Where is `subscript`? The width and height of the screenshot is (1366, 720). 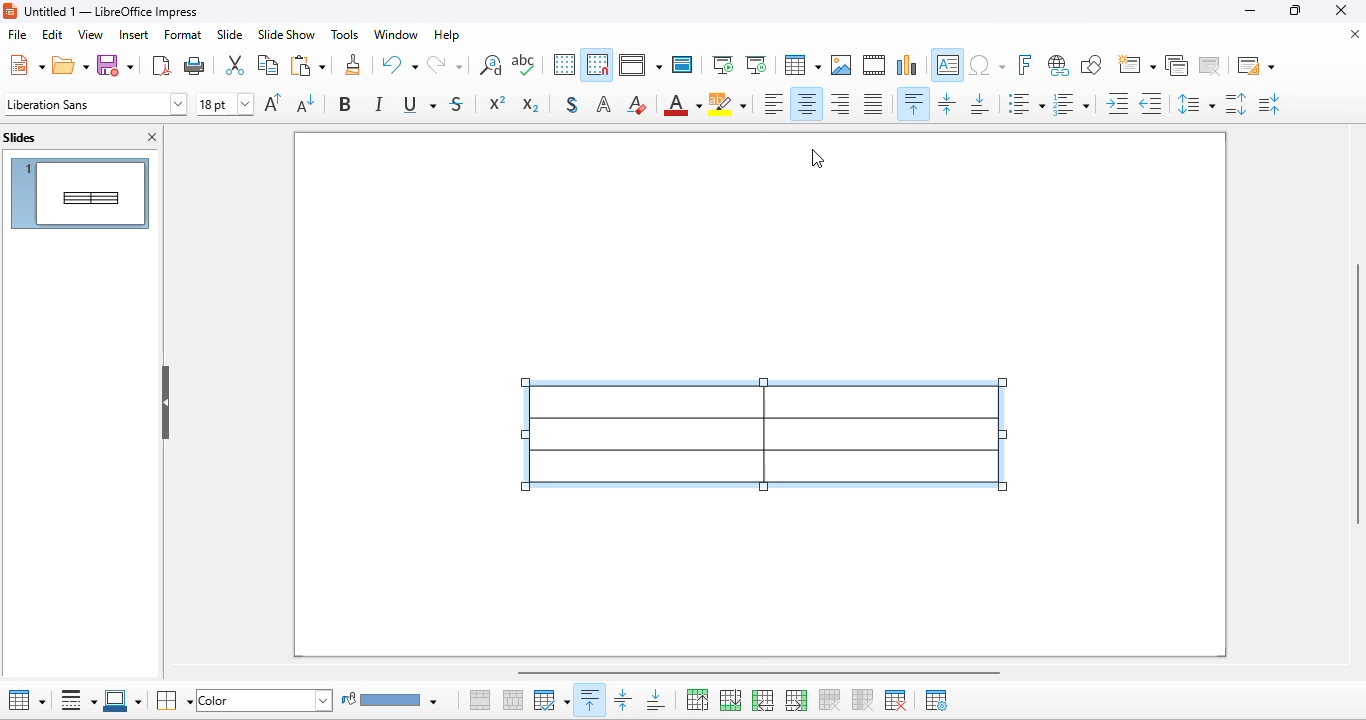
subscript is located at coordinates (530, 105).